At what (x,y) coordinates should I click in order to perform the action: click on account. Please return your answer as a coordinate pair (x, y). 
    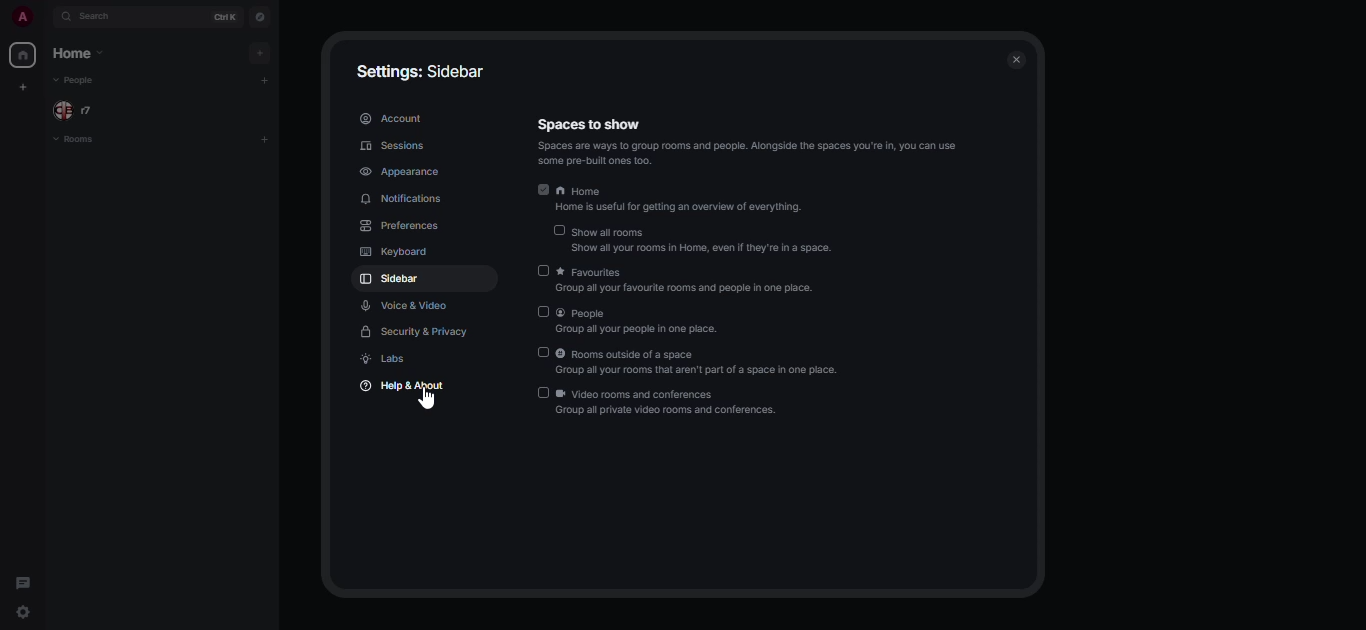
    Looking at the image, I should click on (393, 118).